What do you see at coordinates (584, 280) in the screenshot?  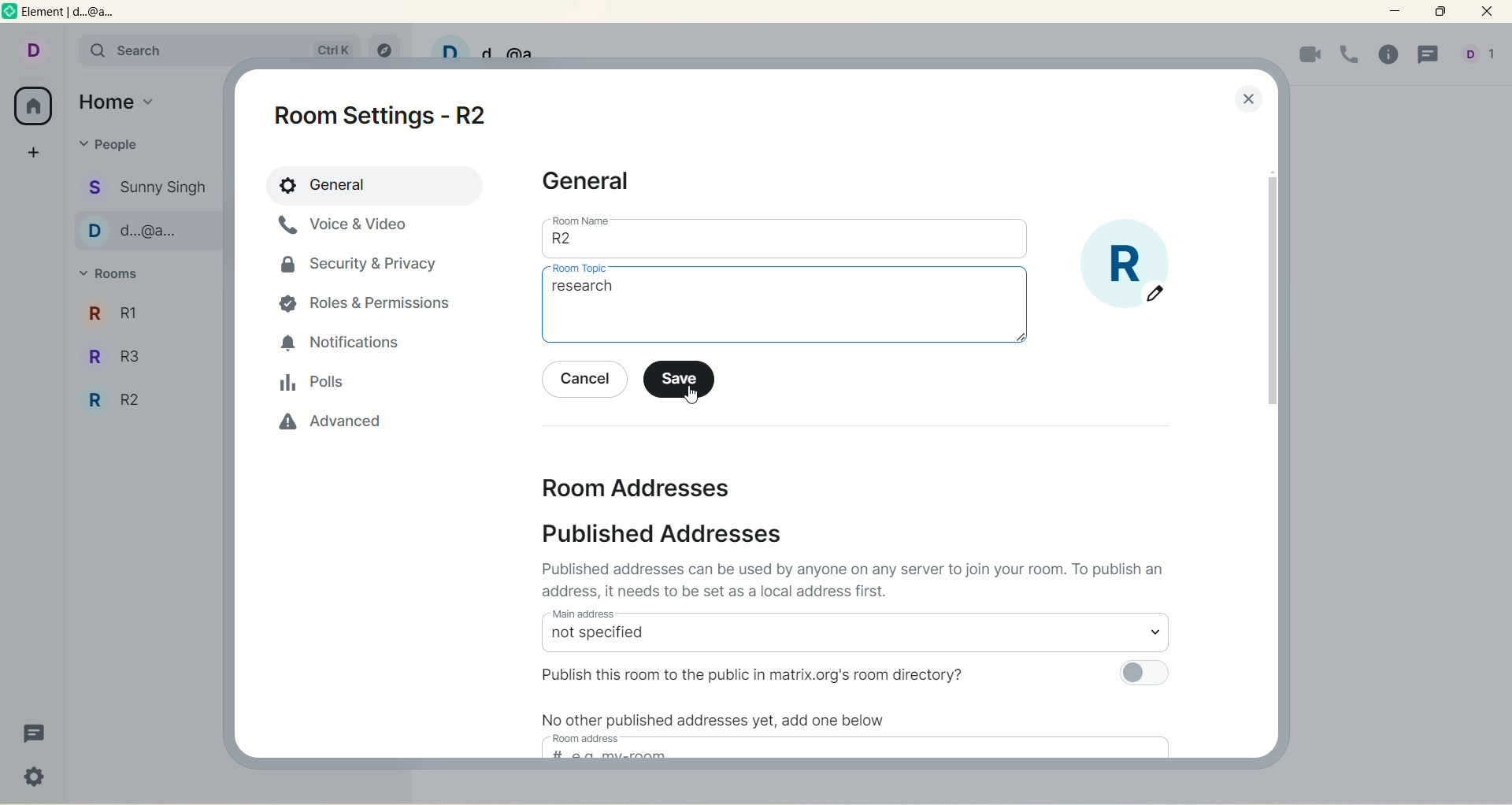 I see `cursor` at bounding box center [584, 280].